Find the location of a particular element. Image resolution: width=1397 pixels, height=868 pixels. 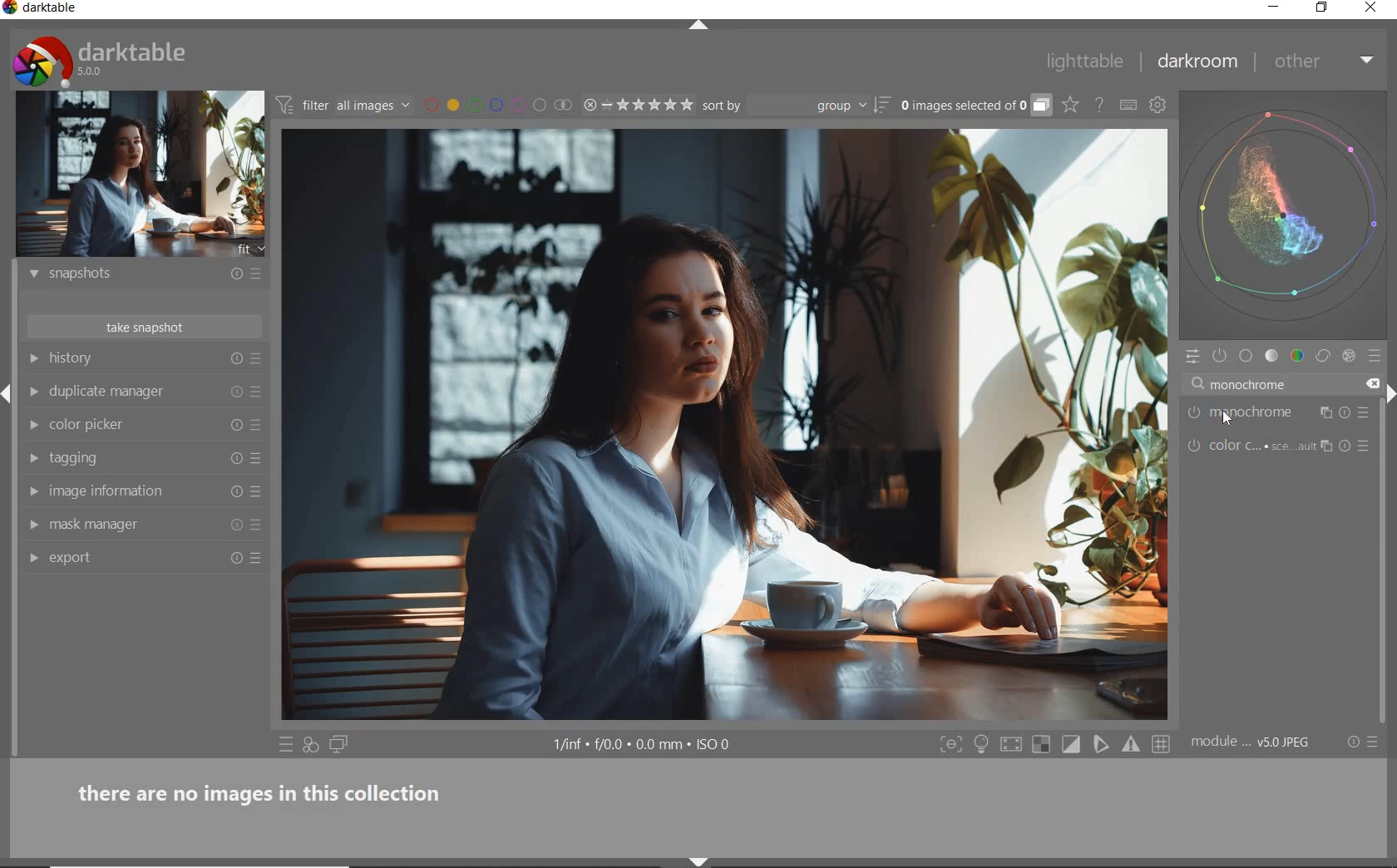

presets and preferences is located at coordinates (255, 274).